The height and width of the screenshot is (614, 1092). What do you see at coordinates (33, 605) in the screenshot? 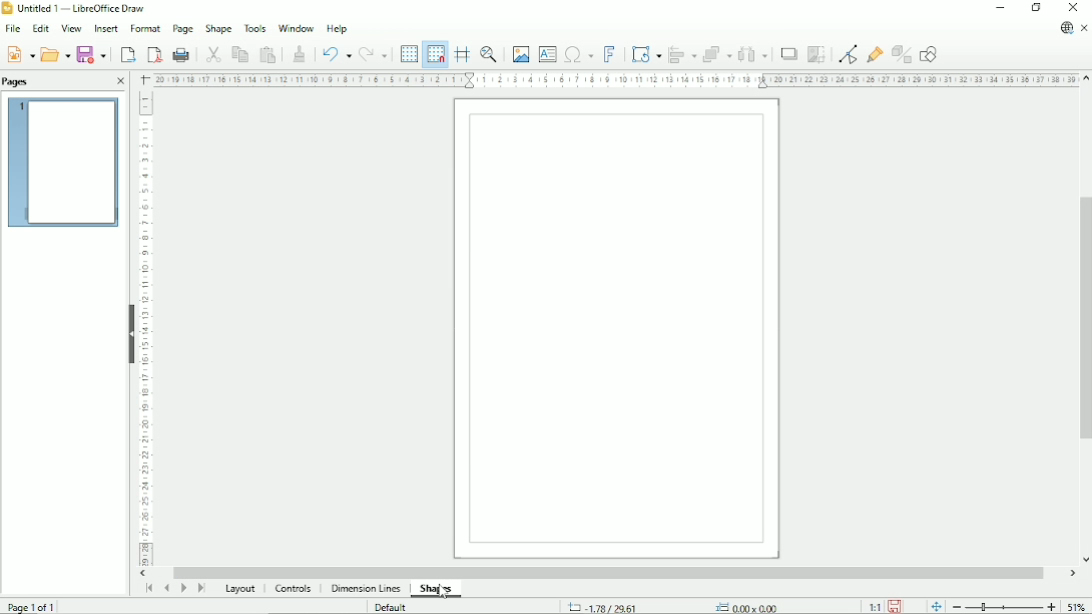
I see `Page 1 of 1` at bounding box center [33, 605].